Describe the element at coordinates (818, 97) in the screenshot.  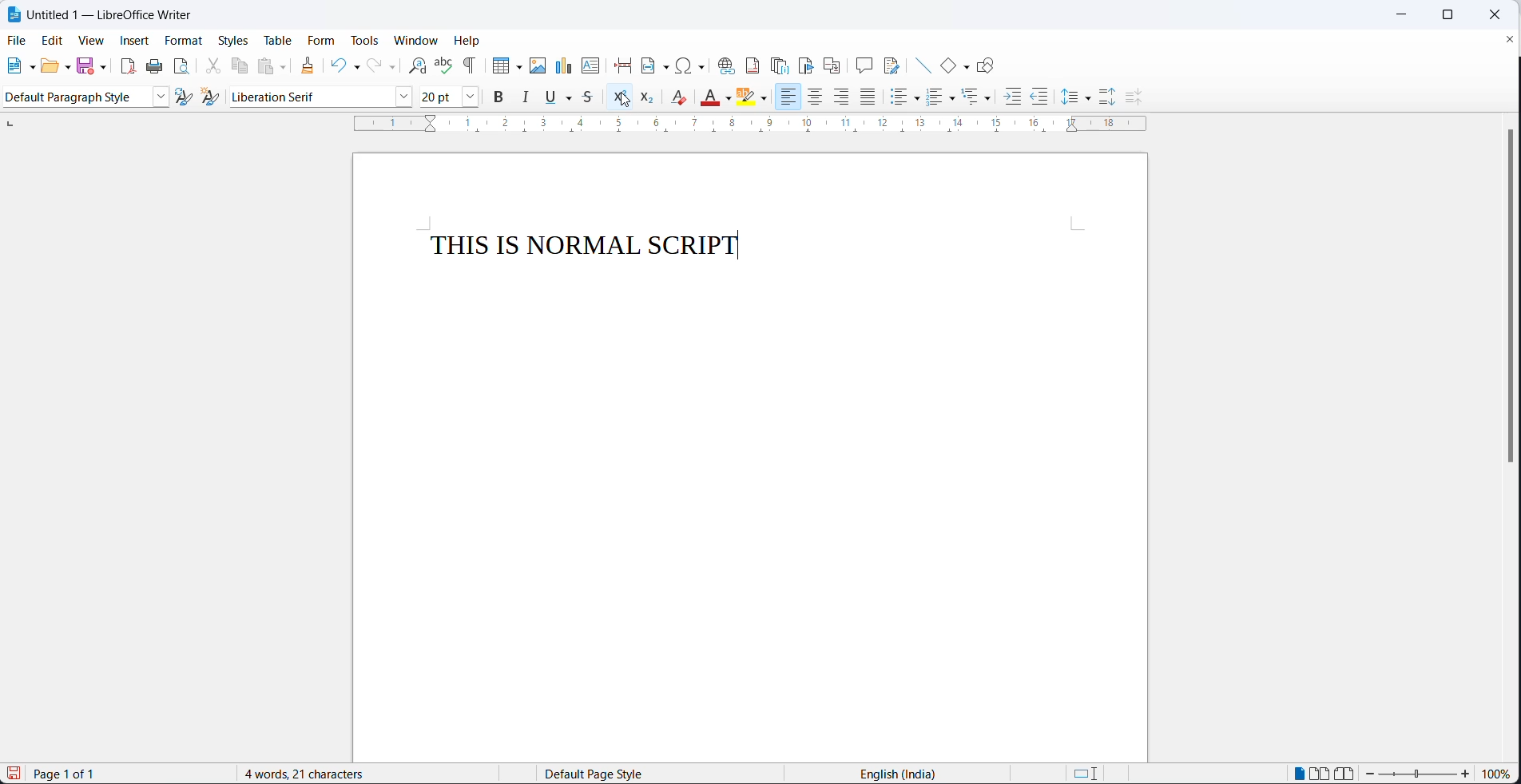
I see `text align center` at that location.